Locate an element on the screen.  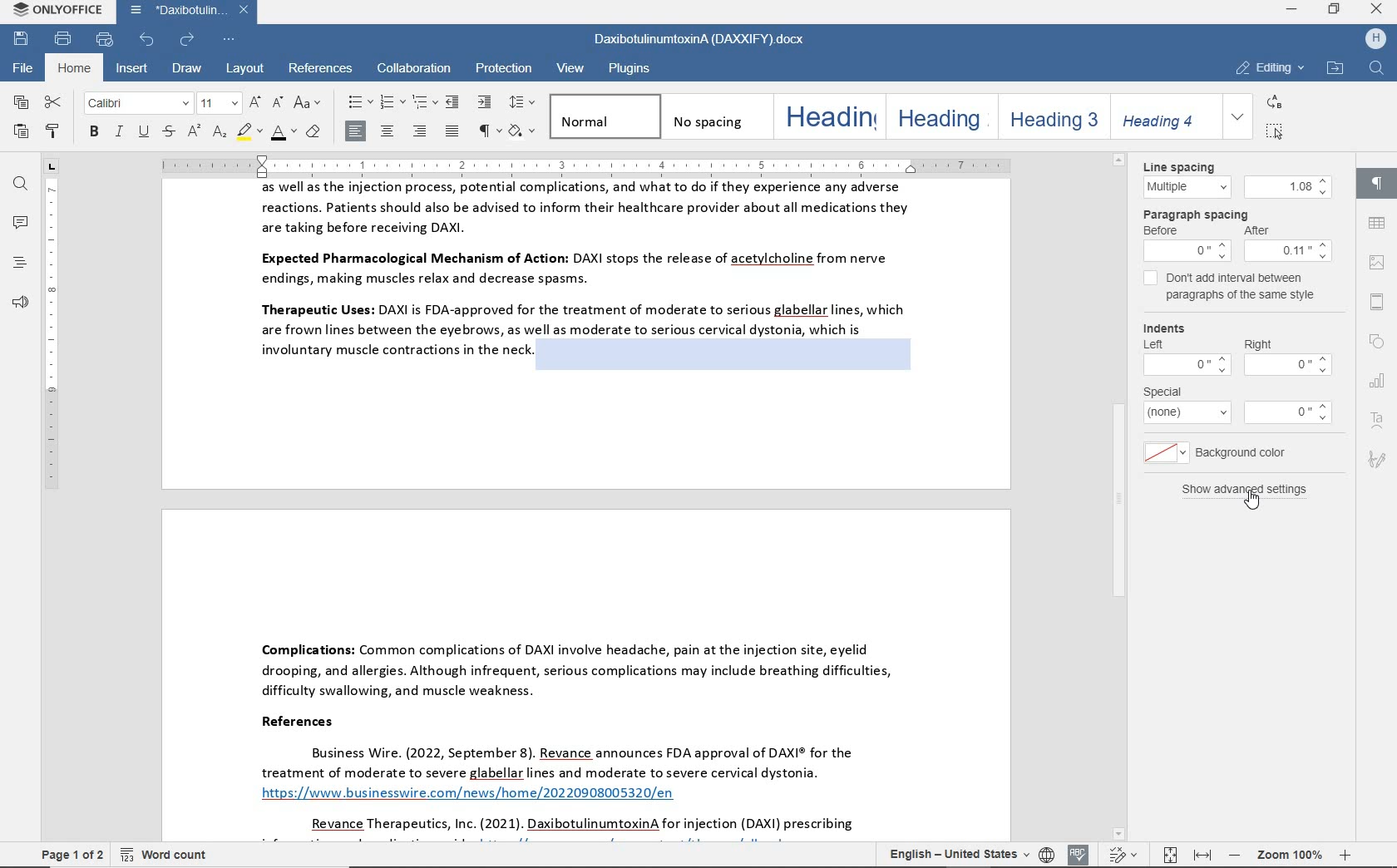
text art is located at coordinates (1379, 422).